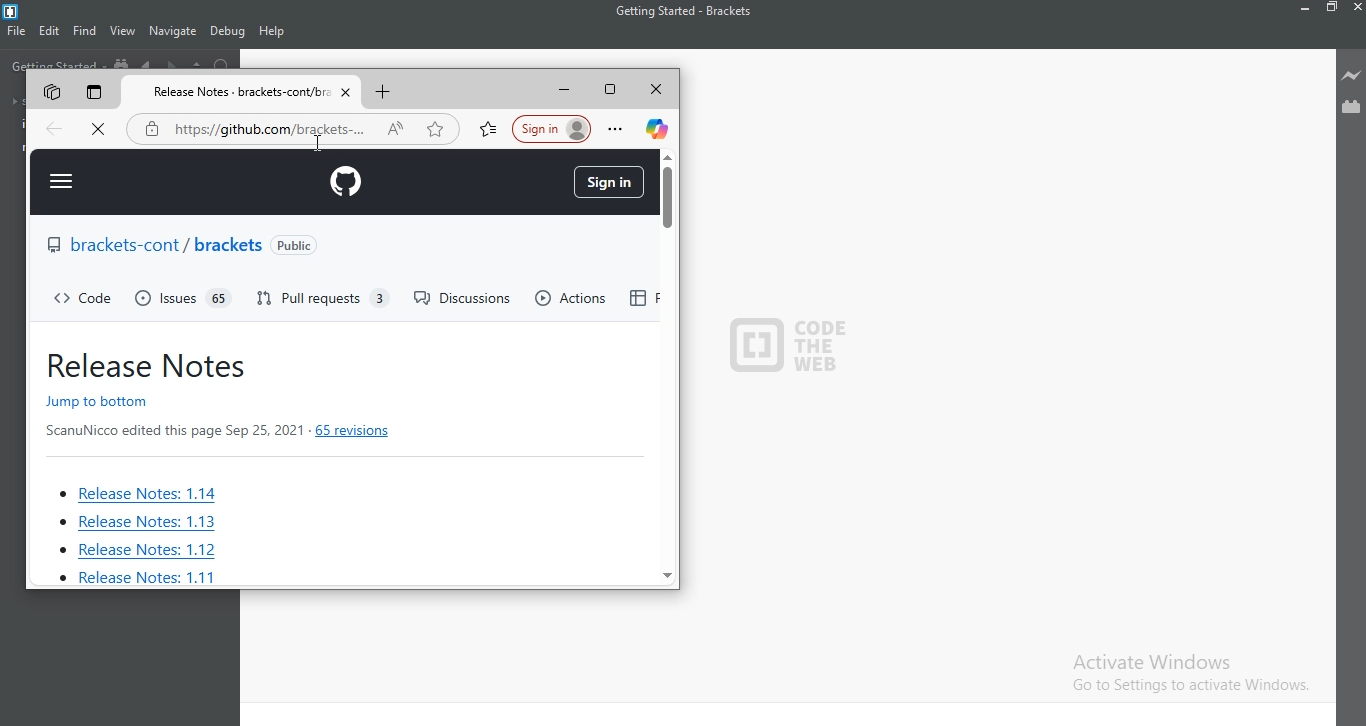 The image size is (1366, 726). Describe the element at coordinates (665, 367) in the screenshot. I see `scroll bar` at that location.